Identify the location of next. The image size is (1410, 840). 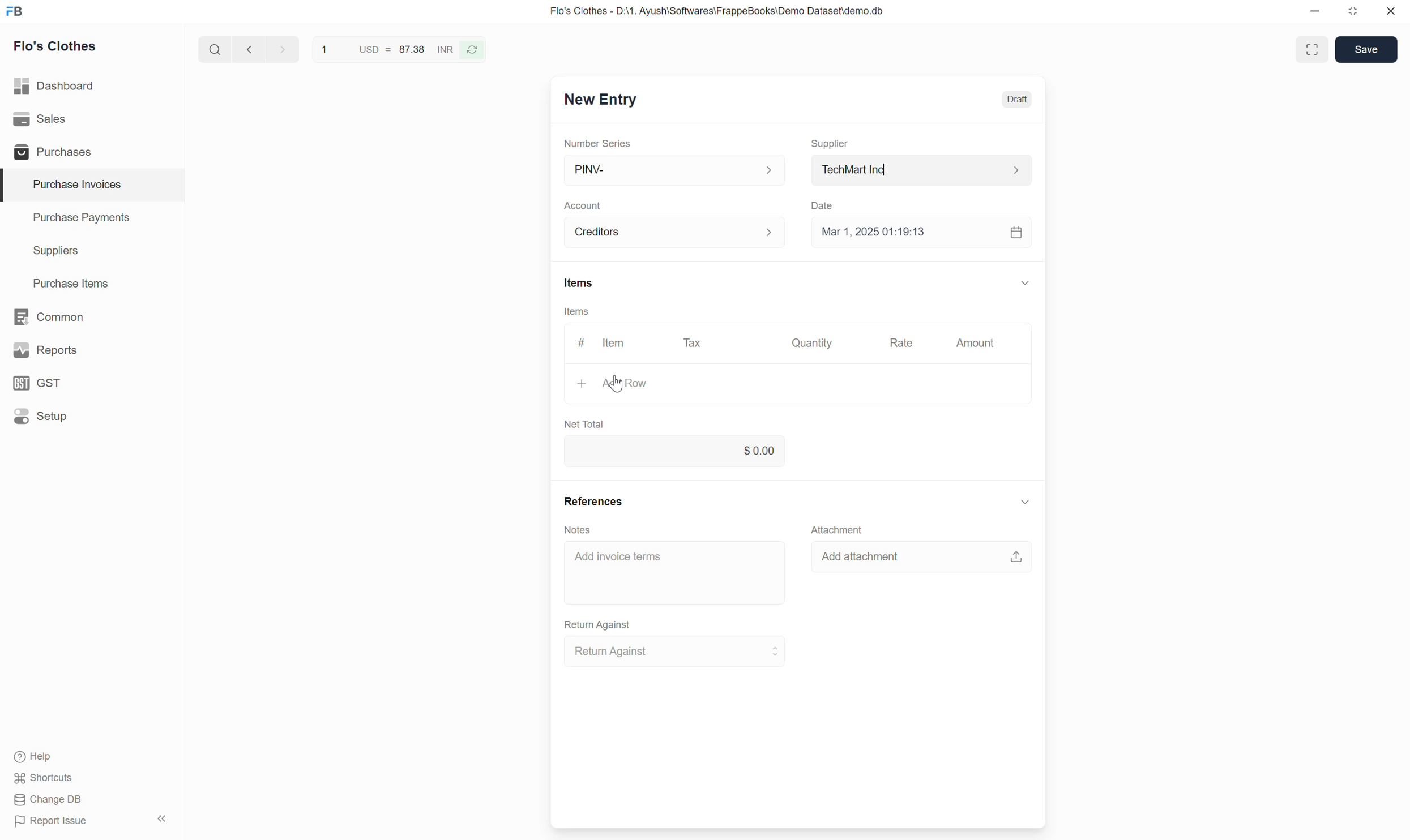
(247, 50).